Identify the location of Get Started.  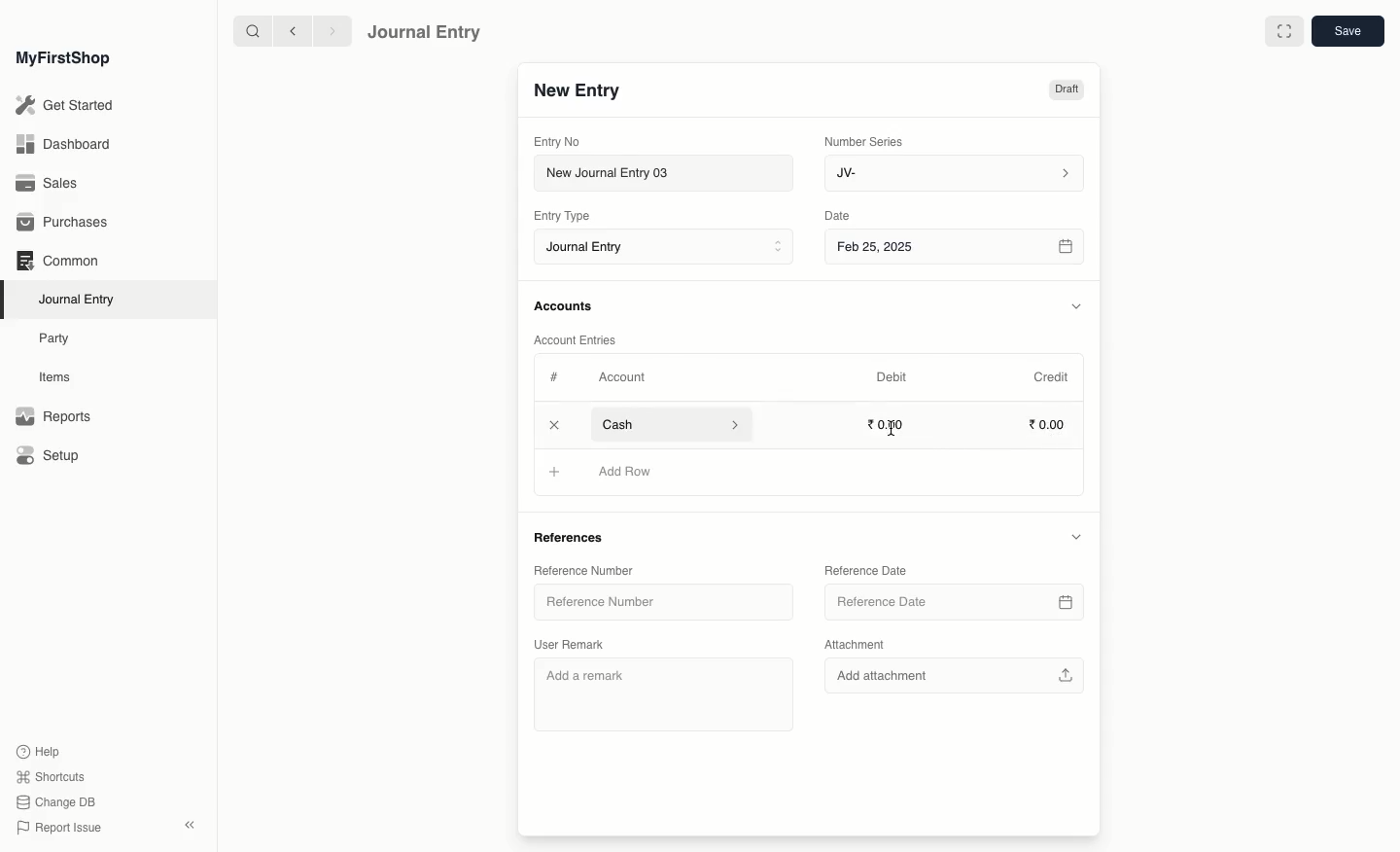
(66, 106).